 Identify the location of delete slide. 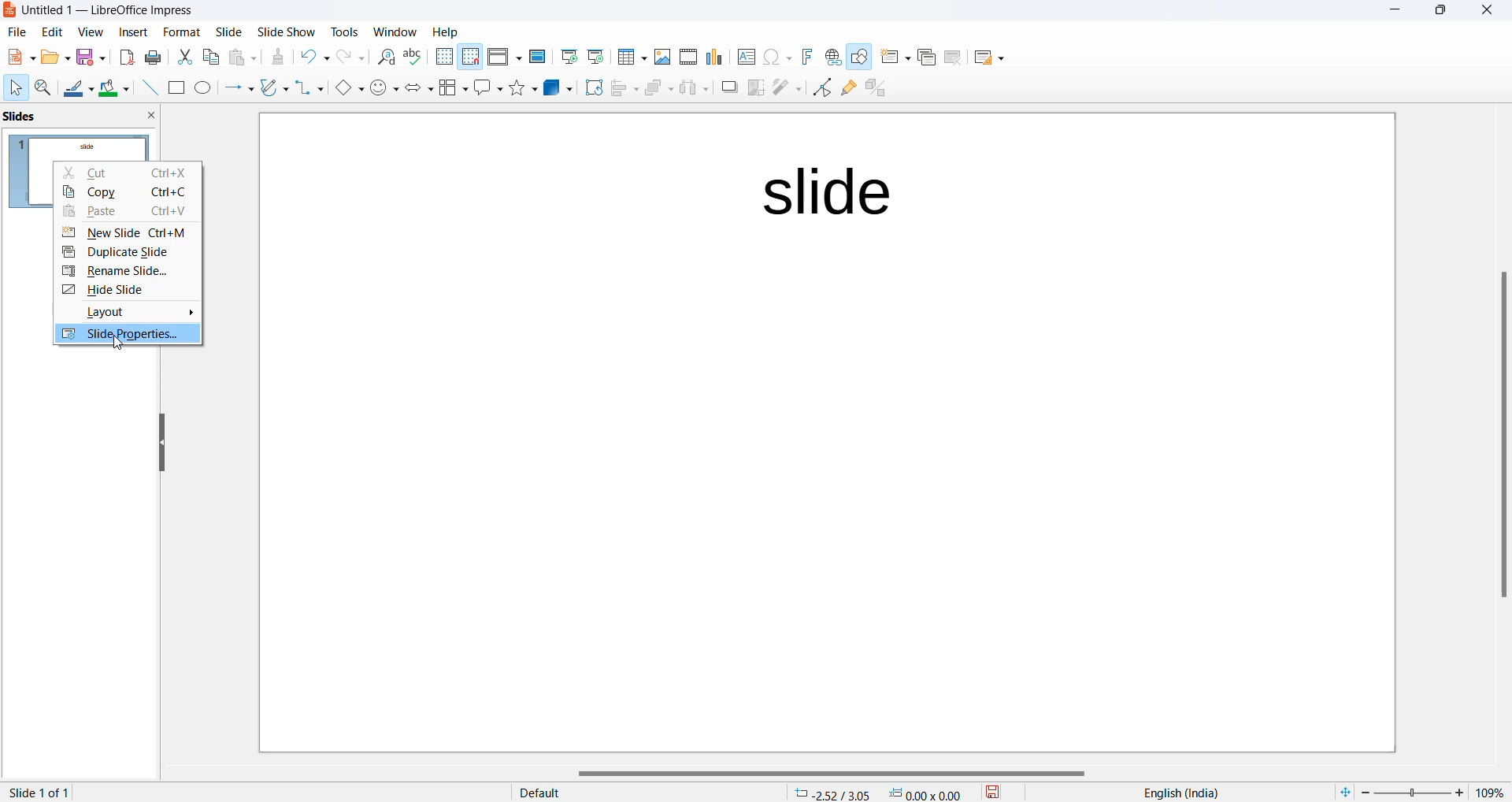
(953, 61).